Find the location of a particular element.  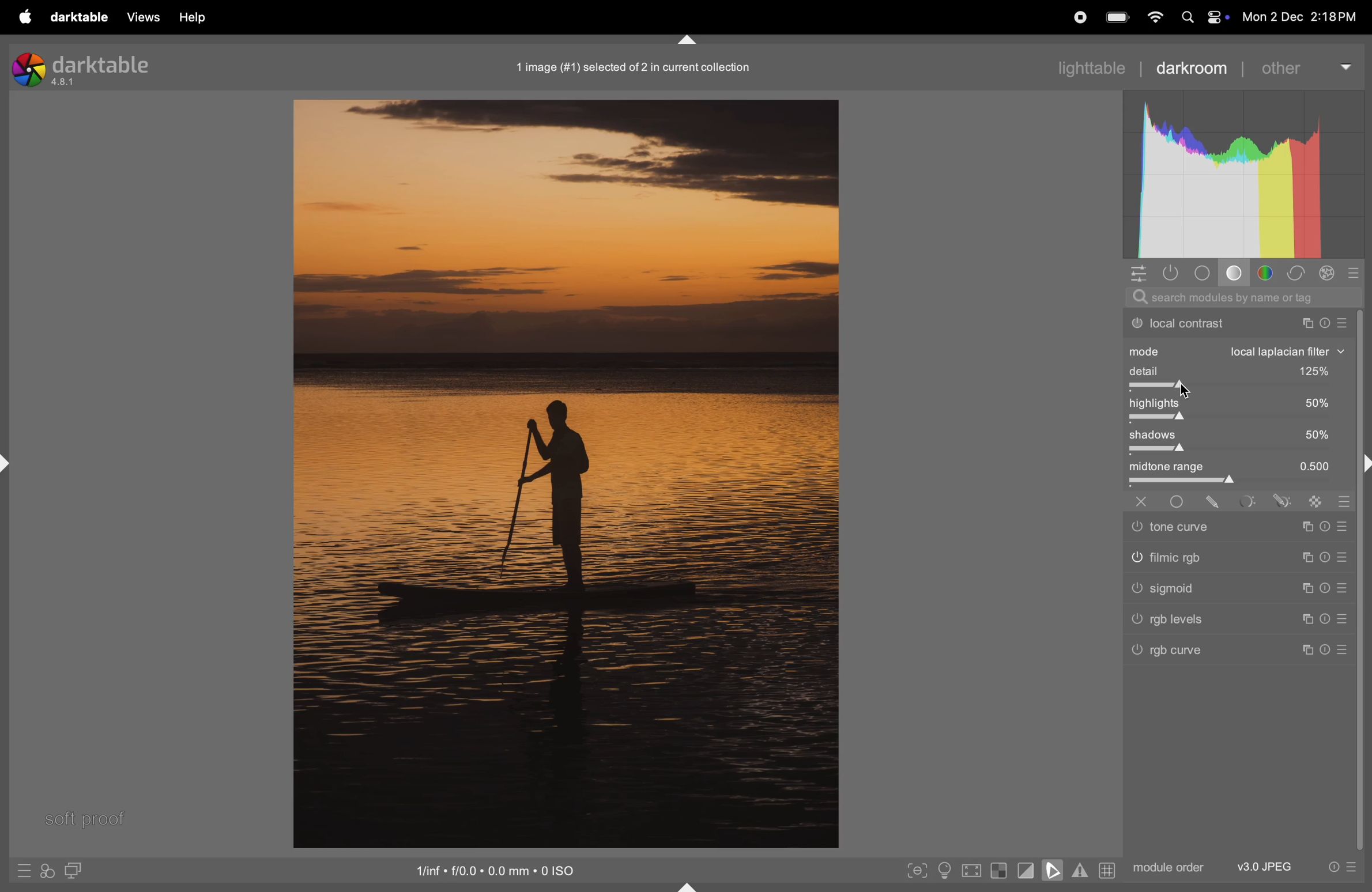

tone is located at coordinates (1234, 273).